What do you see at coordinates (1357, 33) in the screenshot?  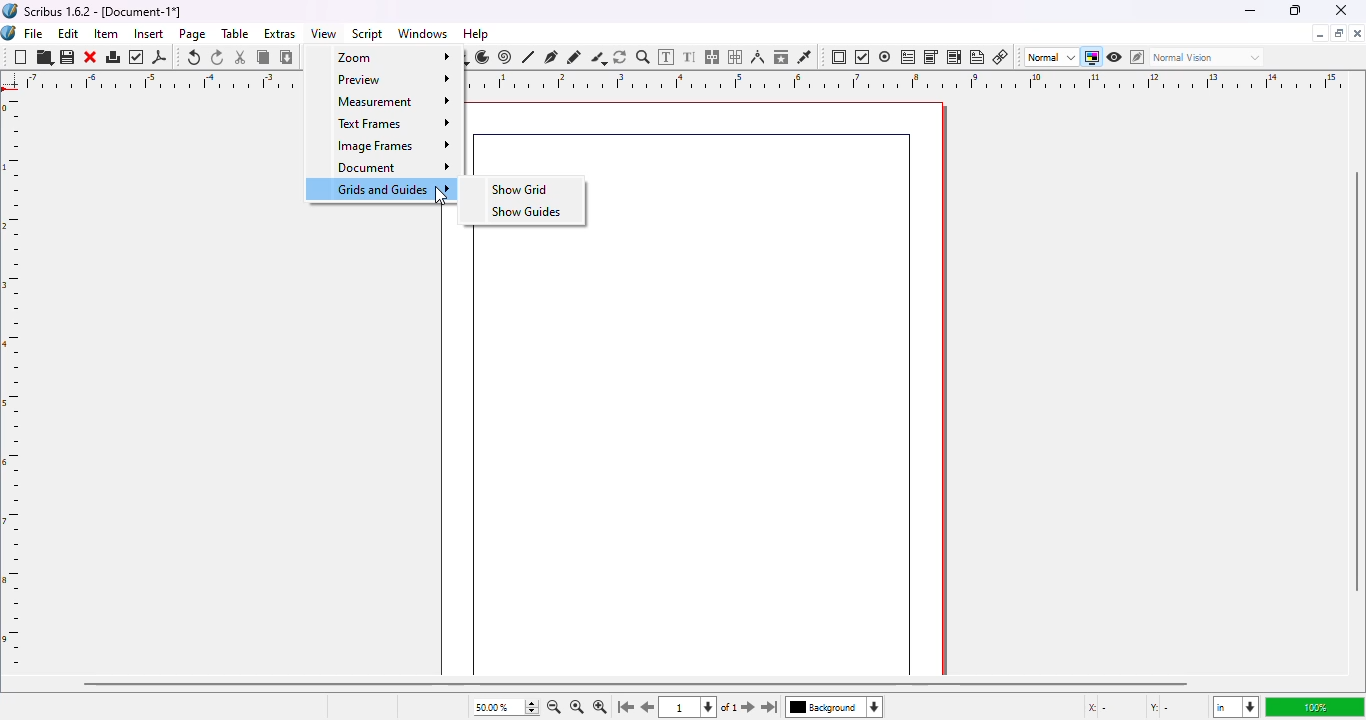 I see `close` at bounding box center [1357, 33].